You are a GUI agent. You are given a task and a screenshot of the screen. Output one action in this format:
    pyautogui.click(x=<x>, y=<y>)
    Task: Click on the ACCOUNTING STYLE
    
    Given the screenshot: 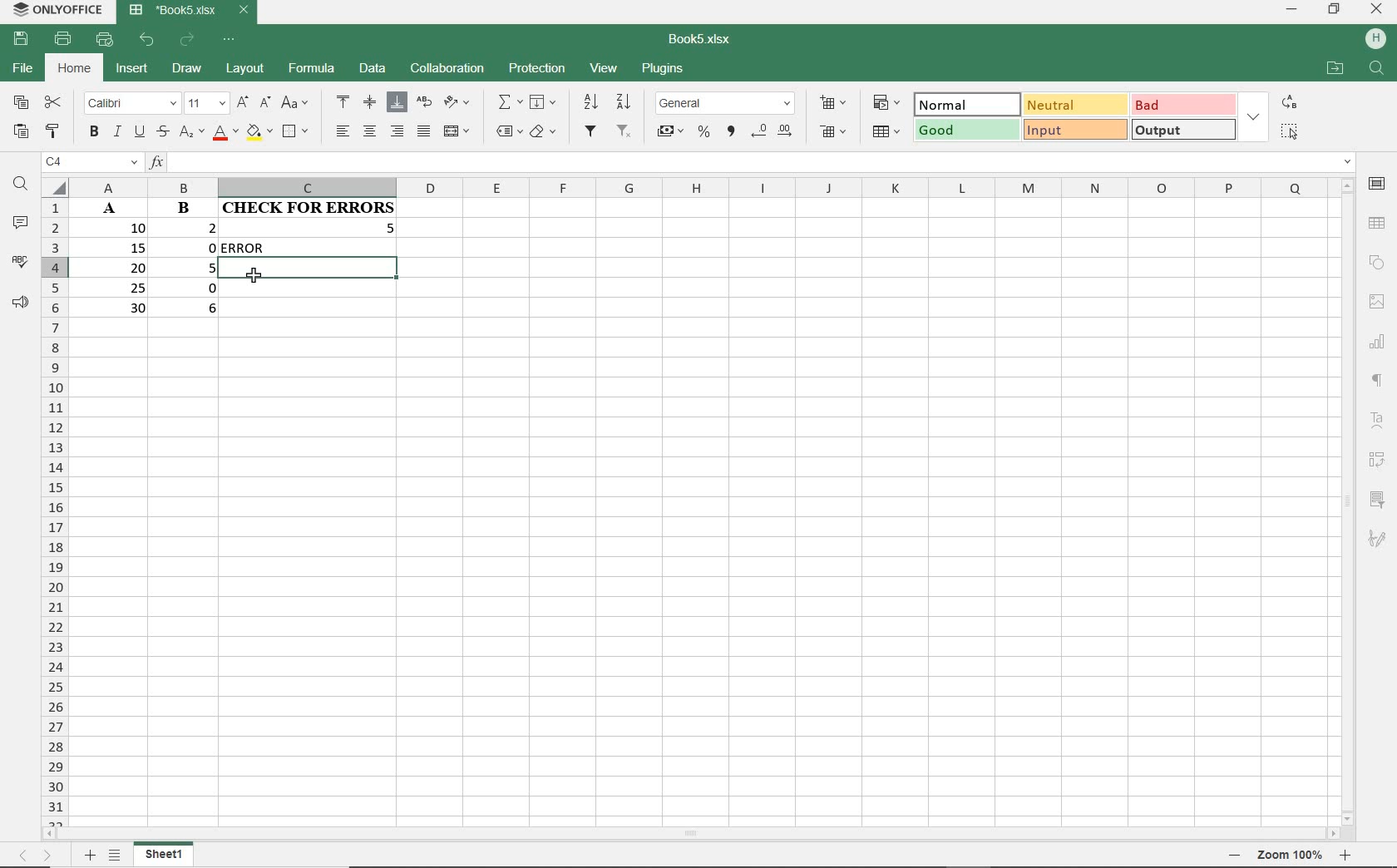 What is the action you would take?
    pyautogui.click(x=670, y=131)
    